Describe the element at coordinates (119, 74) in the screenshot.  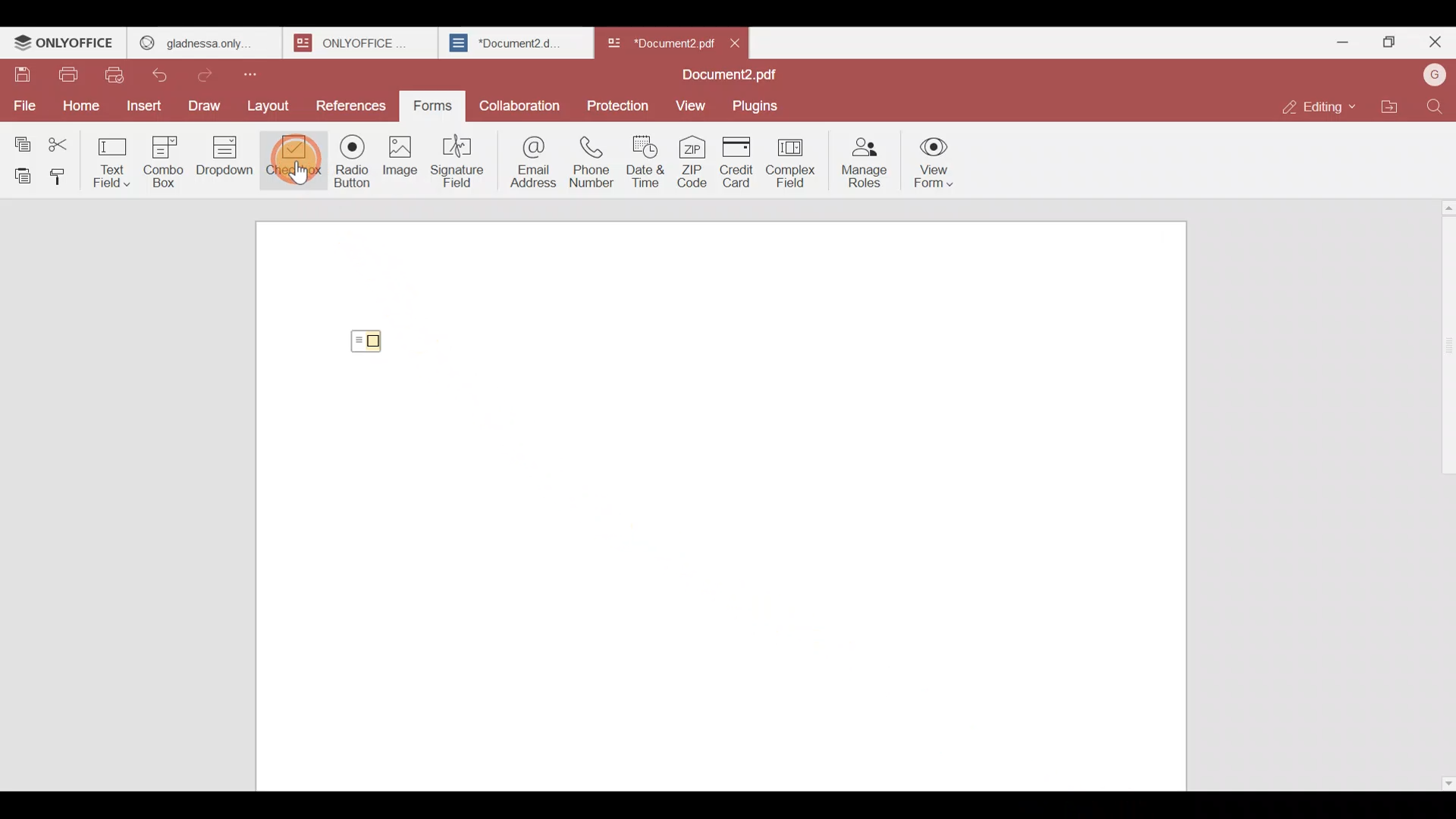
I see `Quick print` at that location.